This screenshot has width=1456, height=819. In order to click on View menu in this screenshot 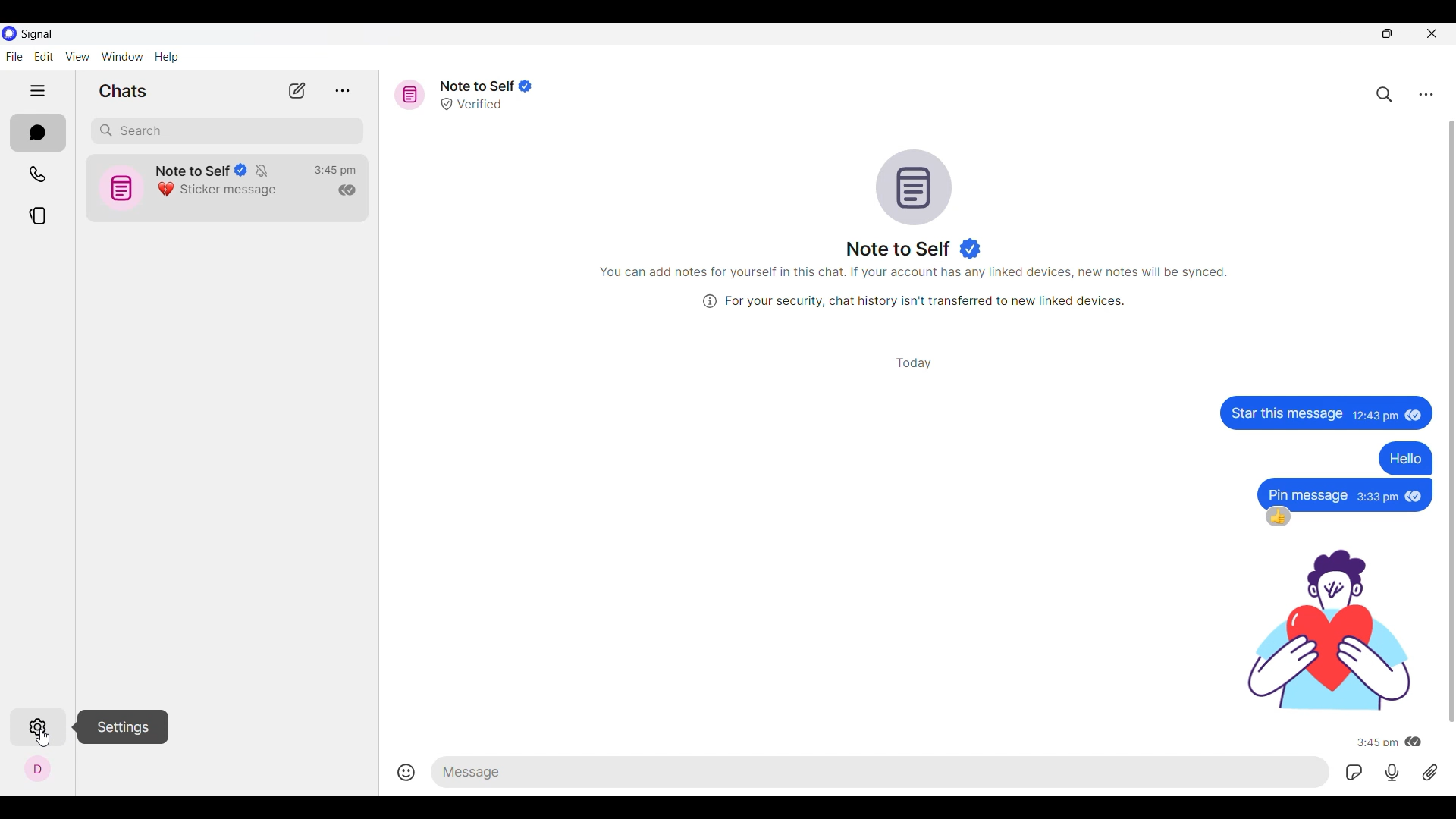, I will do `click(78, 57)`.